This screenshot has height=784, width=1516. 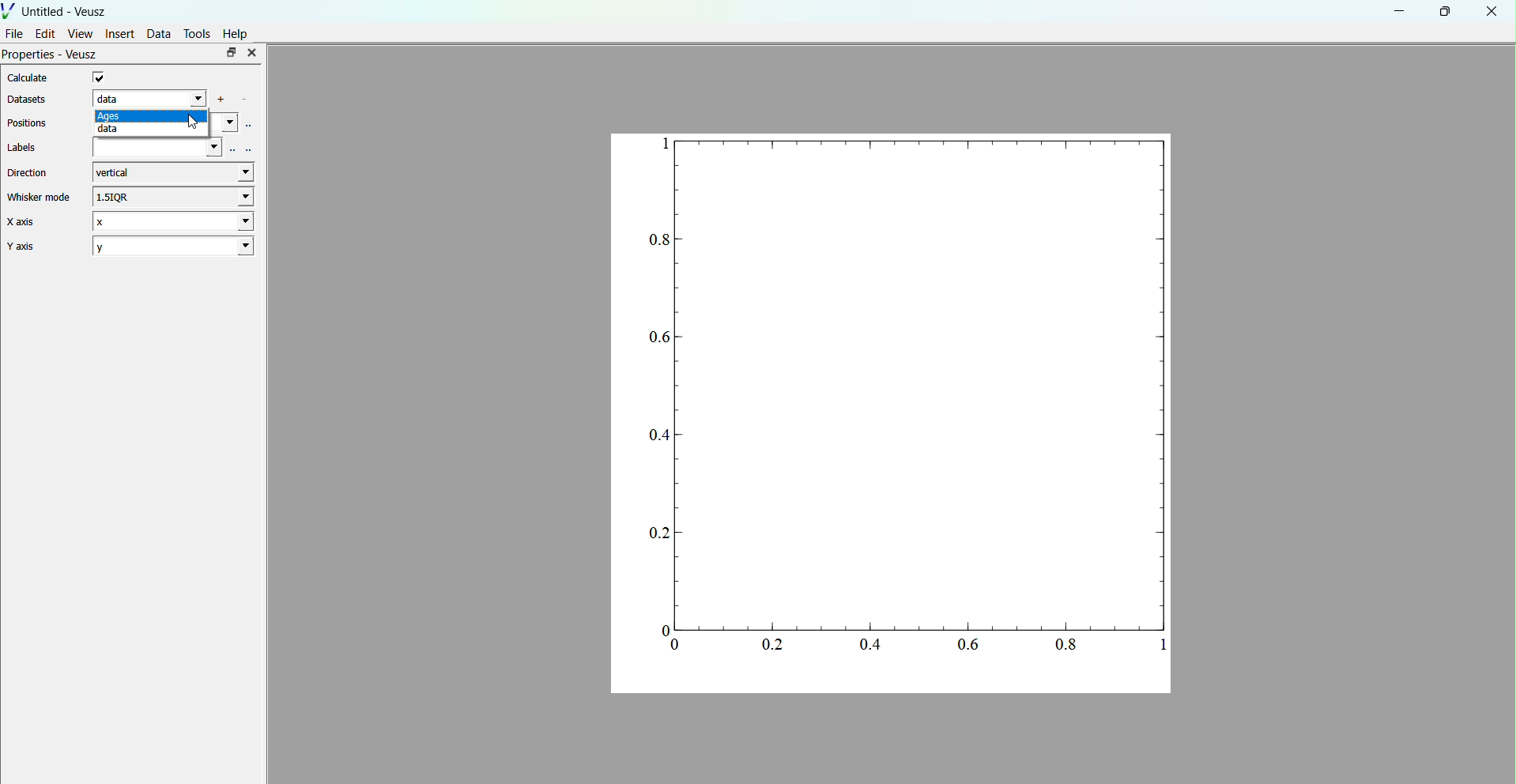 I want to click on Calculate, so click(x=32, y=80).